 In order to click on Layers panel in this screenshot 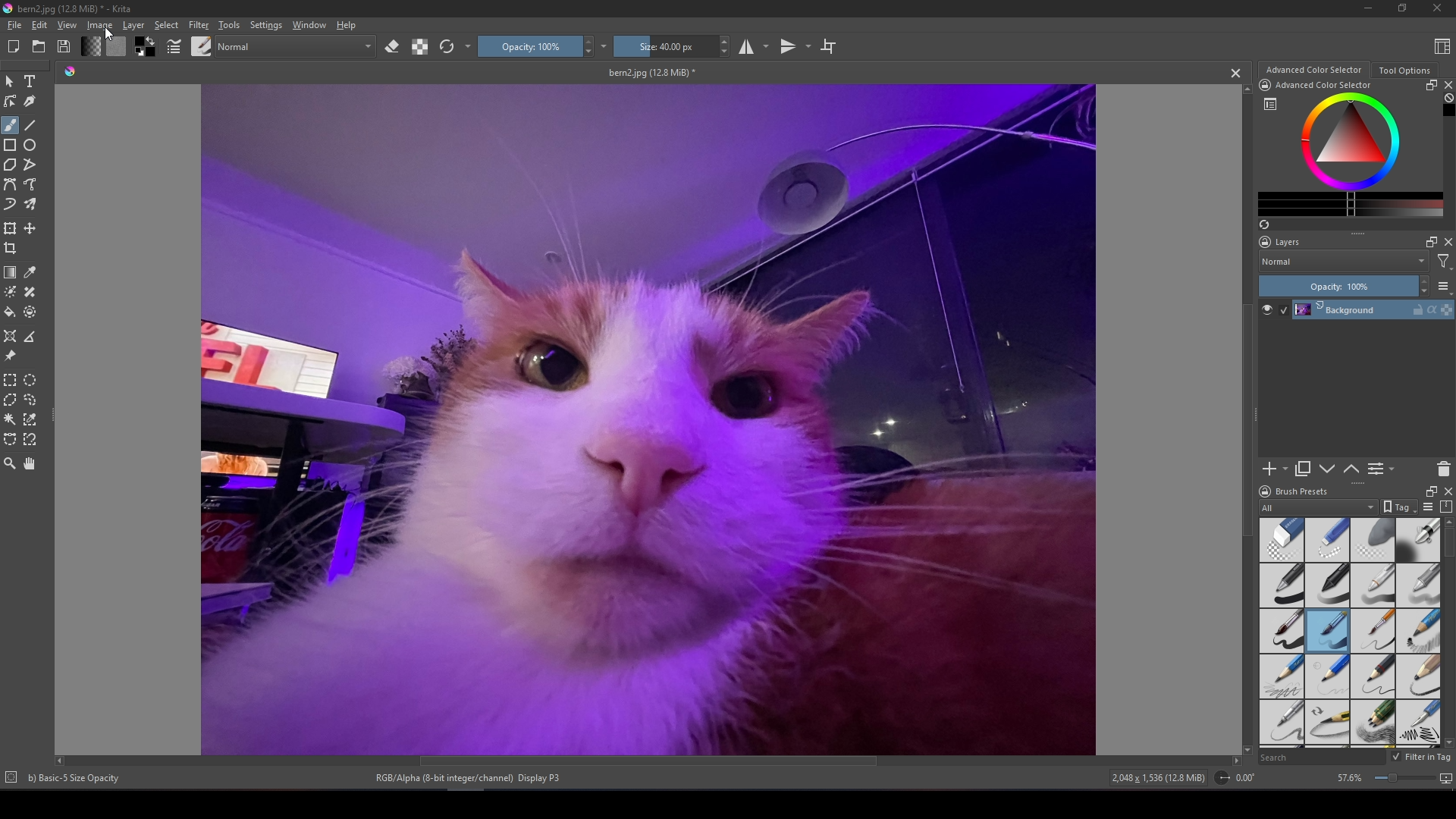, I will do `click(1360, 388)`.